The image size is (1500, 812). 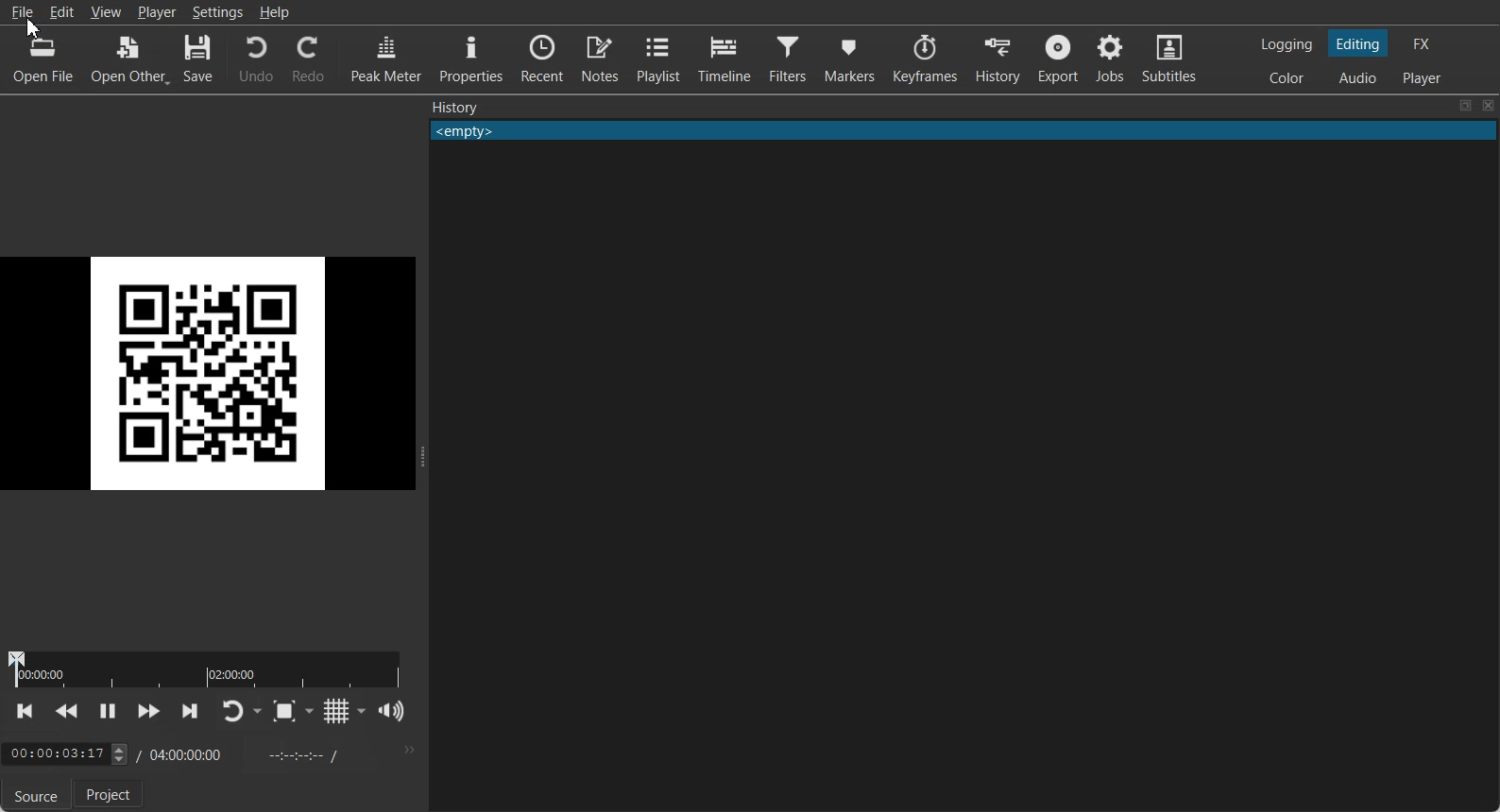 What do you see at coordinates (1109, 58) in the screenshot?
I see `Jobs` at bounding box center [1109, 58].